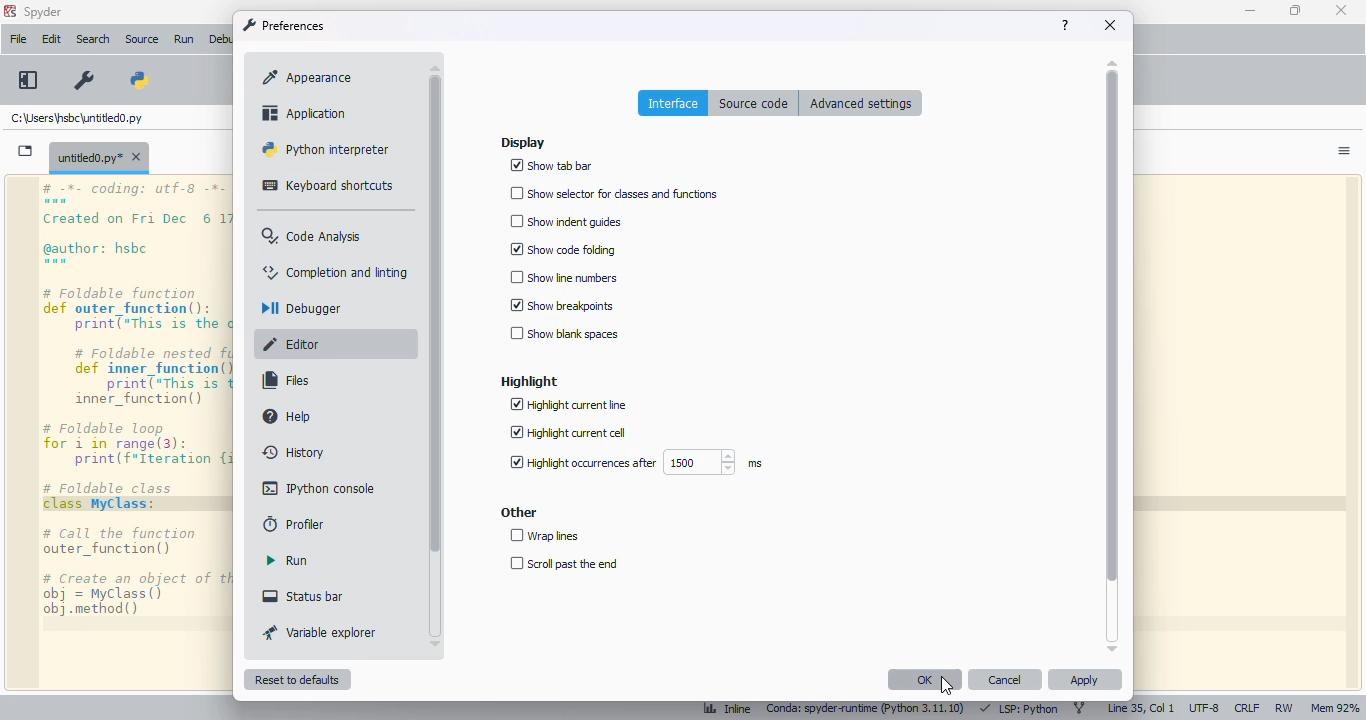 The height and width of the screenshot is (720, 1366). I want to click on options, so click(1344, 151).